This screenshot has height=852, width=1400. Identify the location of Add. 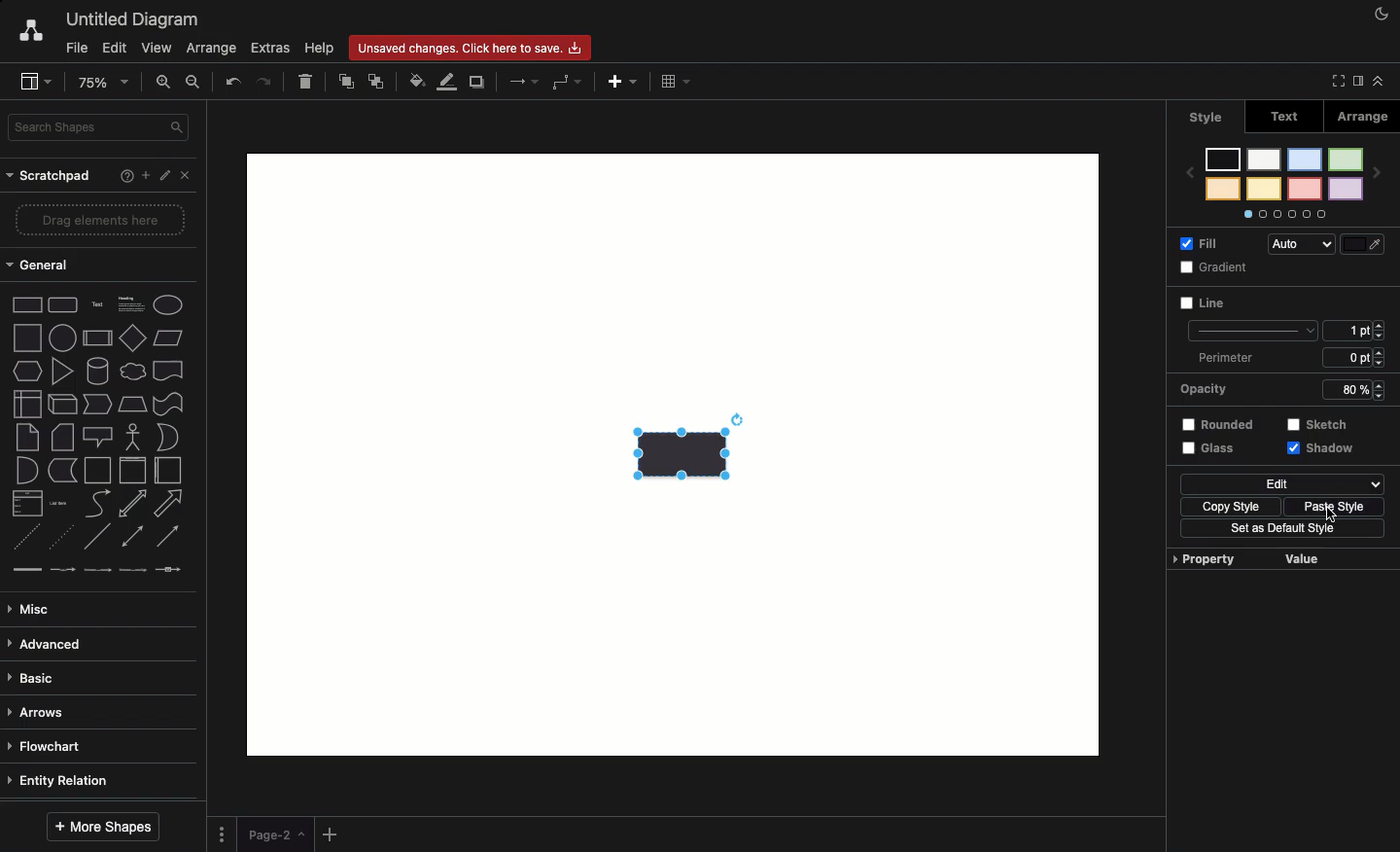
(625, 83).